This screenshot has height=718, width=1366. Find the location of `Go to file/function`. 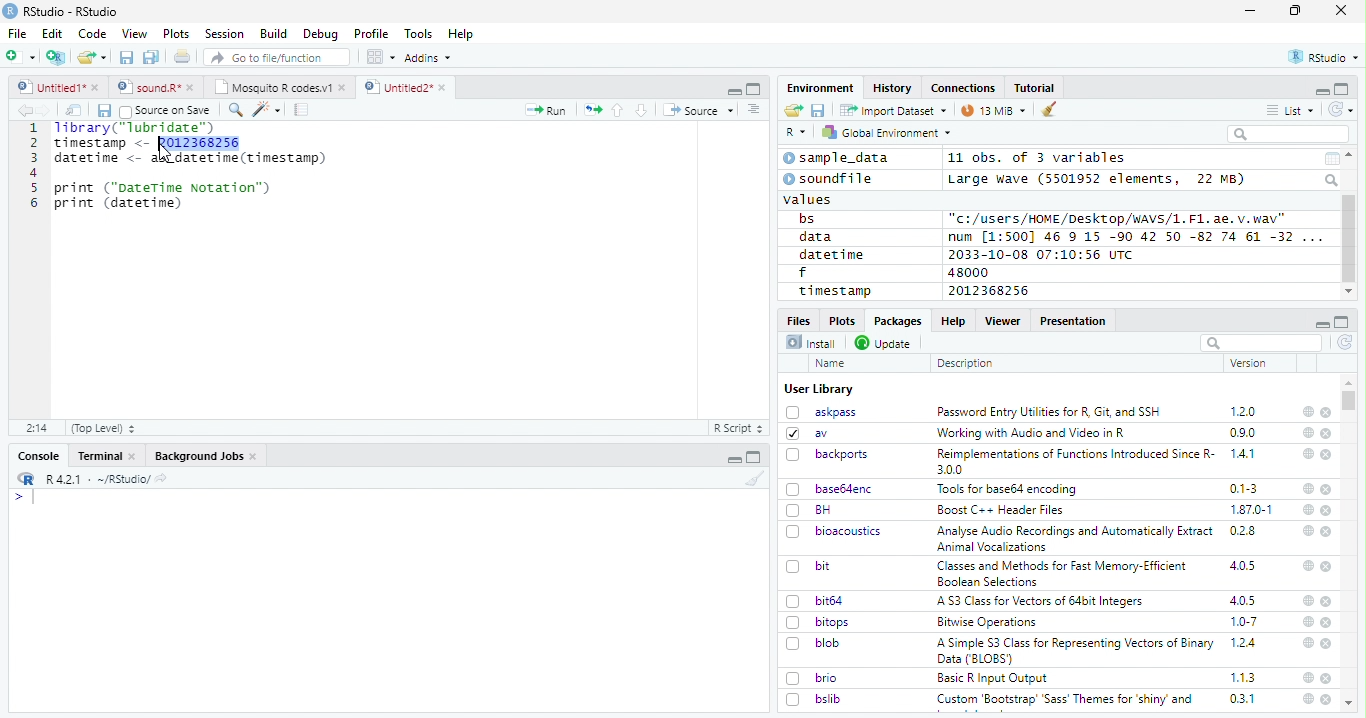

Go to file/function is located at coordinates (278, 57).